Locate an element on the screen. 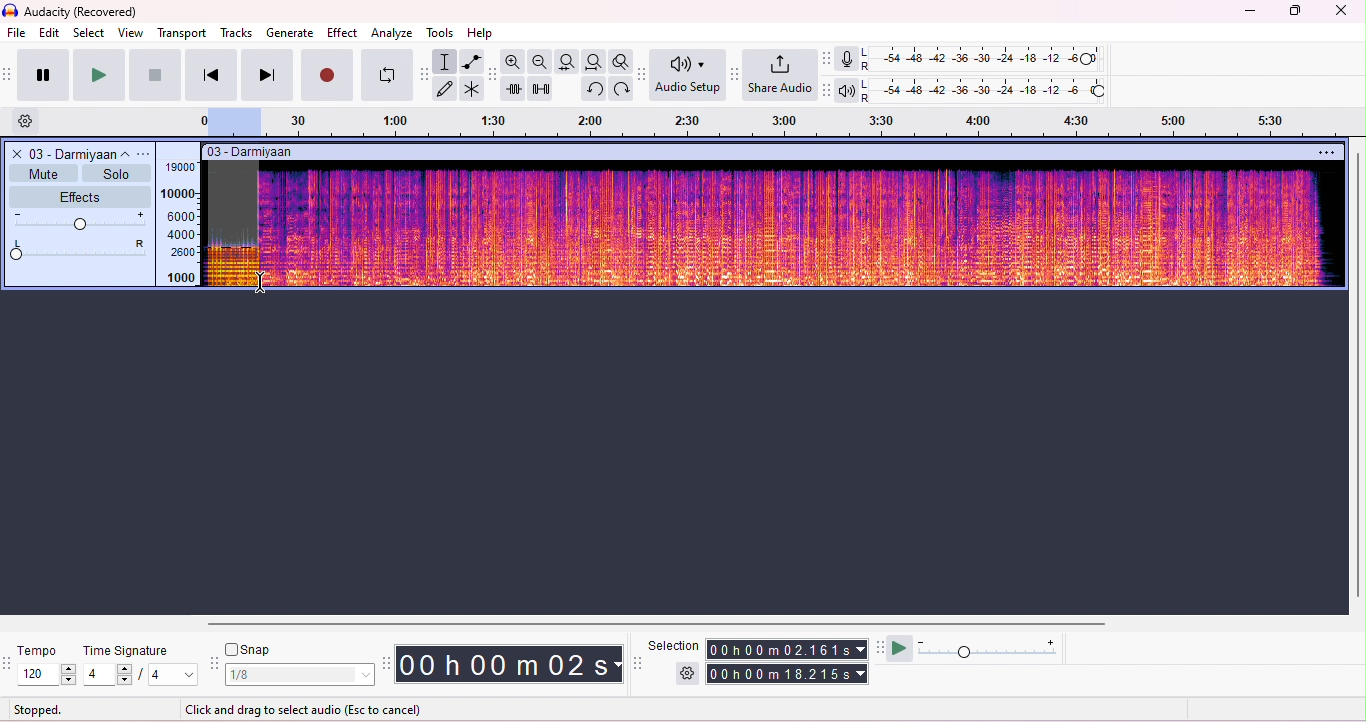 The height and width of the screenshot is (722, 1366). edit is located at coordinates (50, 34).